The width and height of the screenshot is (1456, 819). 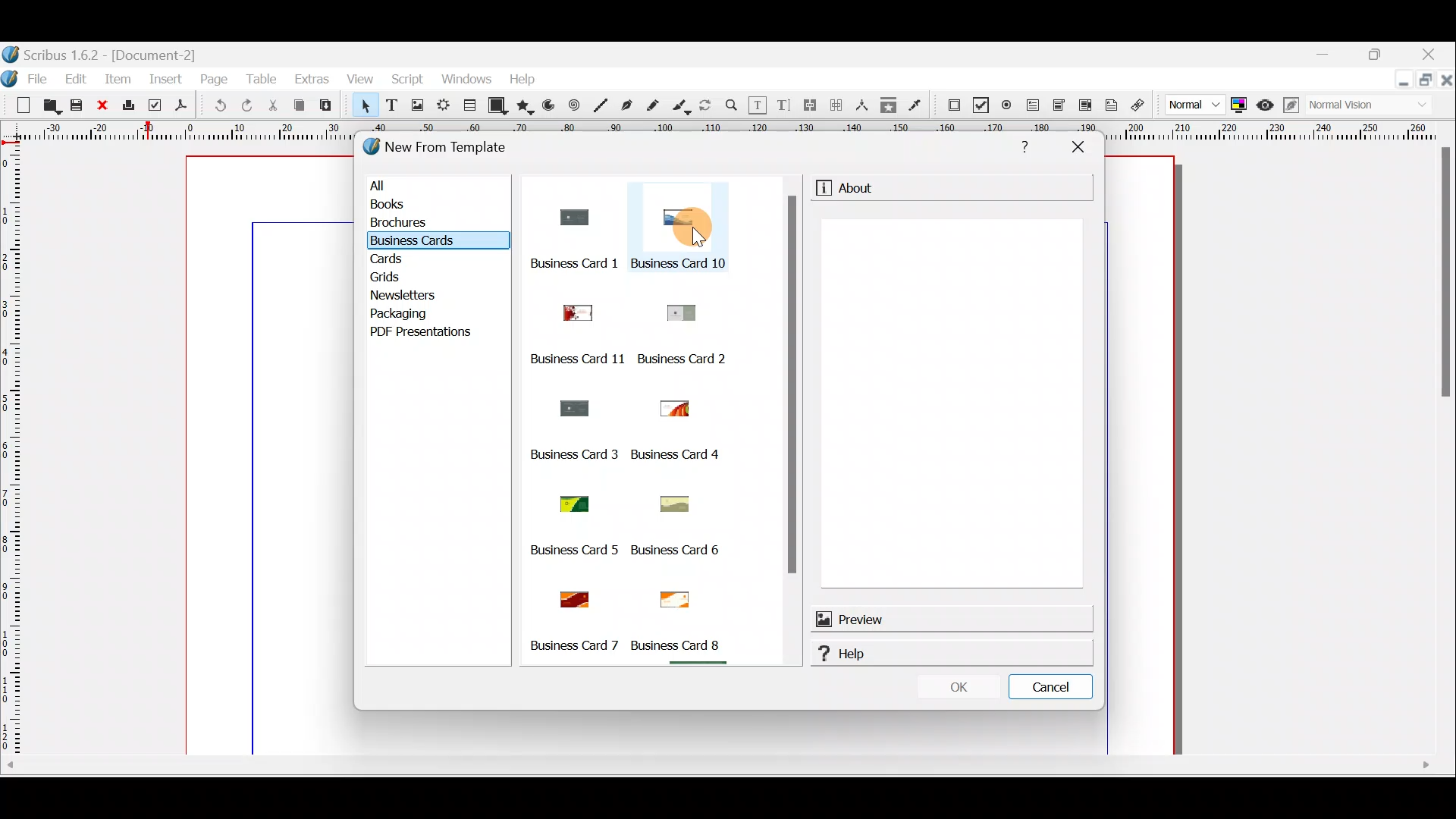 I want to click on Preview mode, so click(x=1266, y=106).